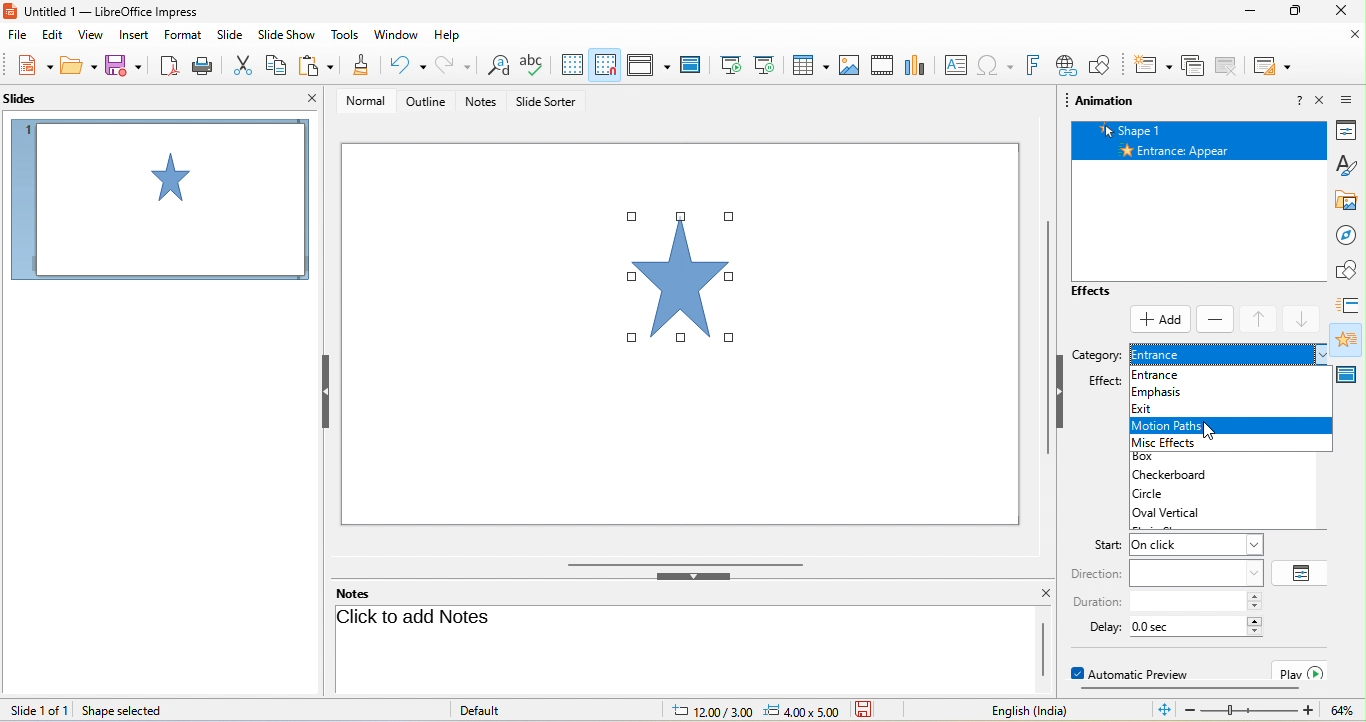 The height and width of the screenshot is (722, 1366). Describe the element at coordinates (78, 66) in the screenshot. I see `open` at that location.